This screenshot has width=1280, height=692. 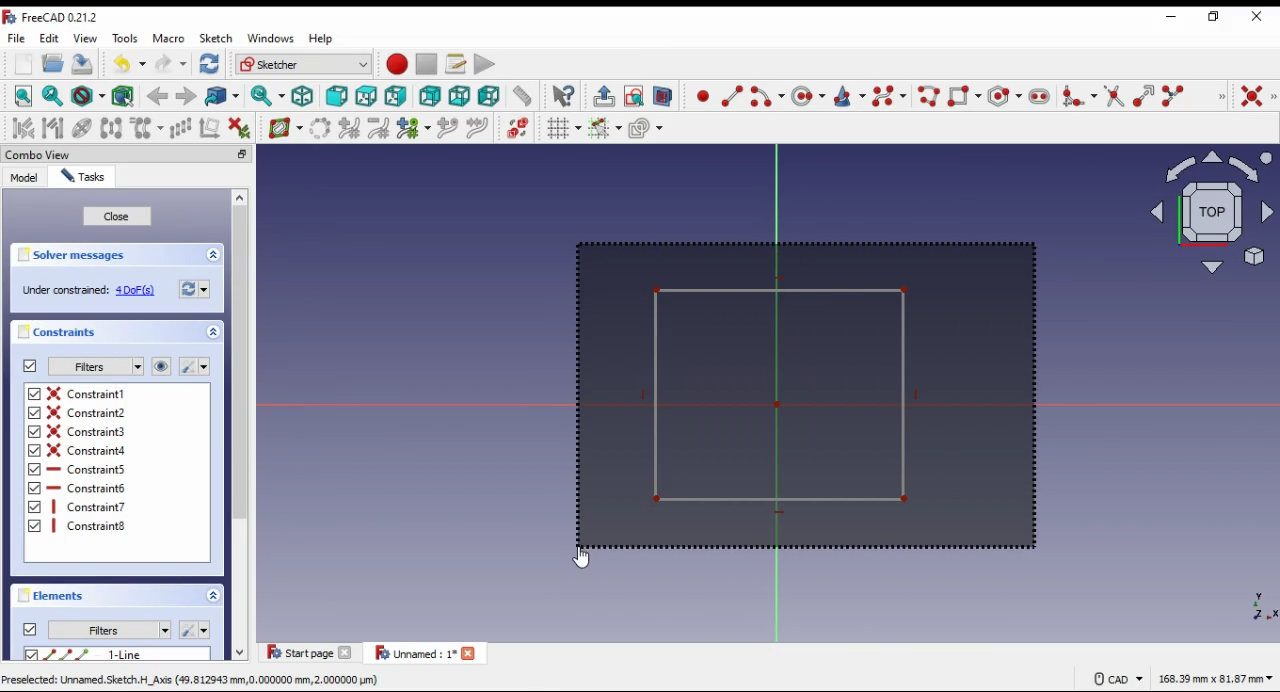 What do you see at coordinates (80, 128) in the screenshot?
I see `show hide internal geometry` at bounding box center [80, 128].